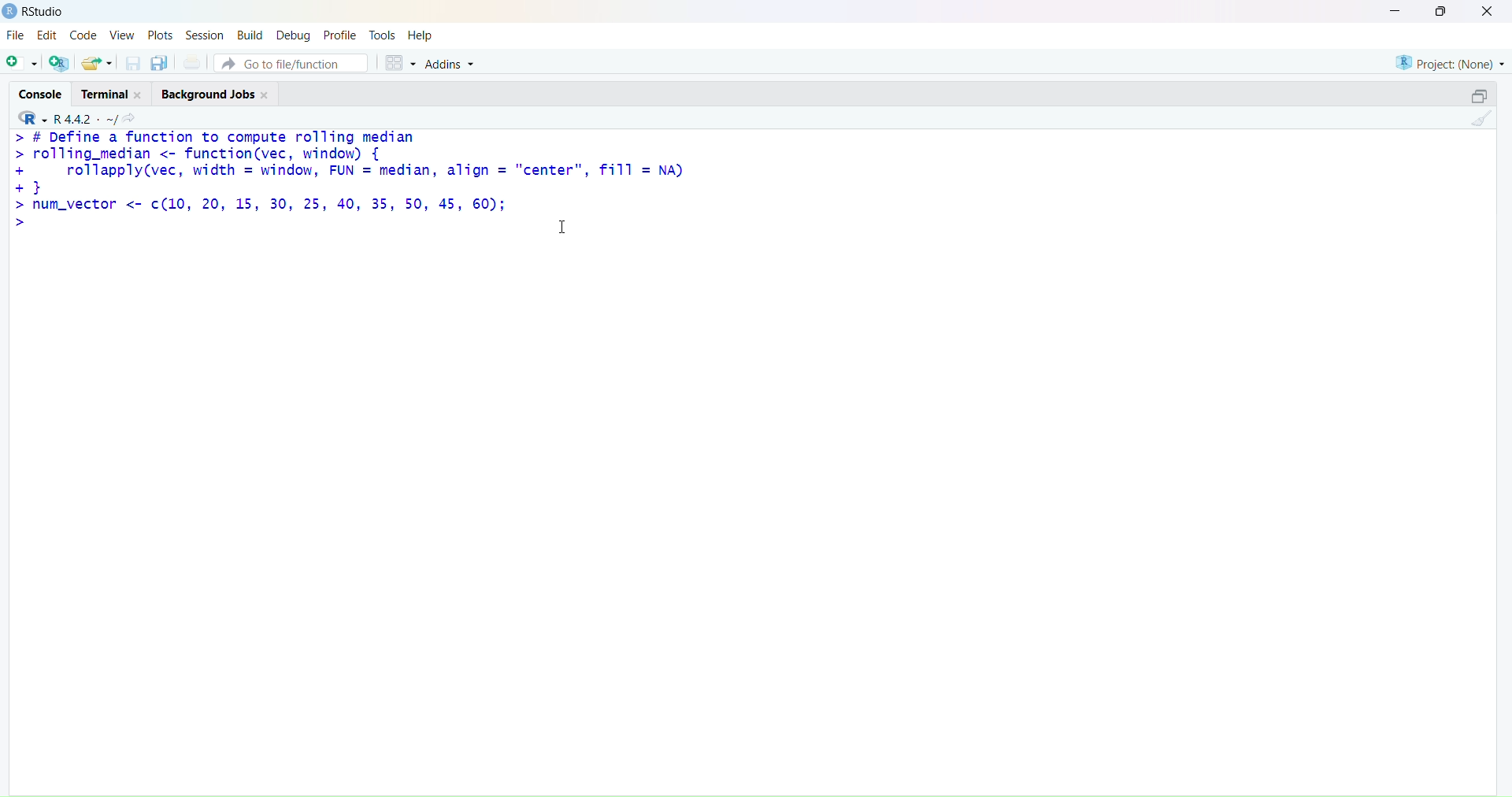 Image resolution: width=1512 pixels, height=797 pixels. Describe the element at coordinates (564, 226) in the screenshot. I see `cursor` at that location.